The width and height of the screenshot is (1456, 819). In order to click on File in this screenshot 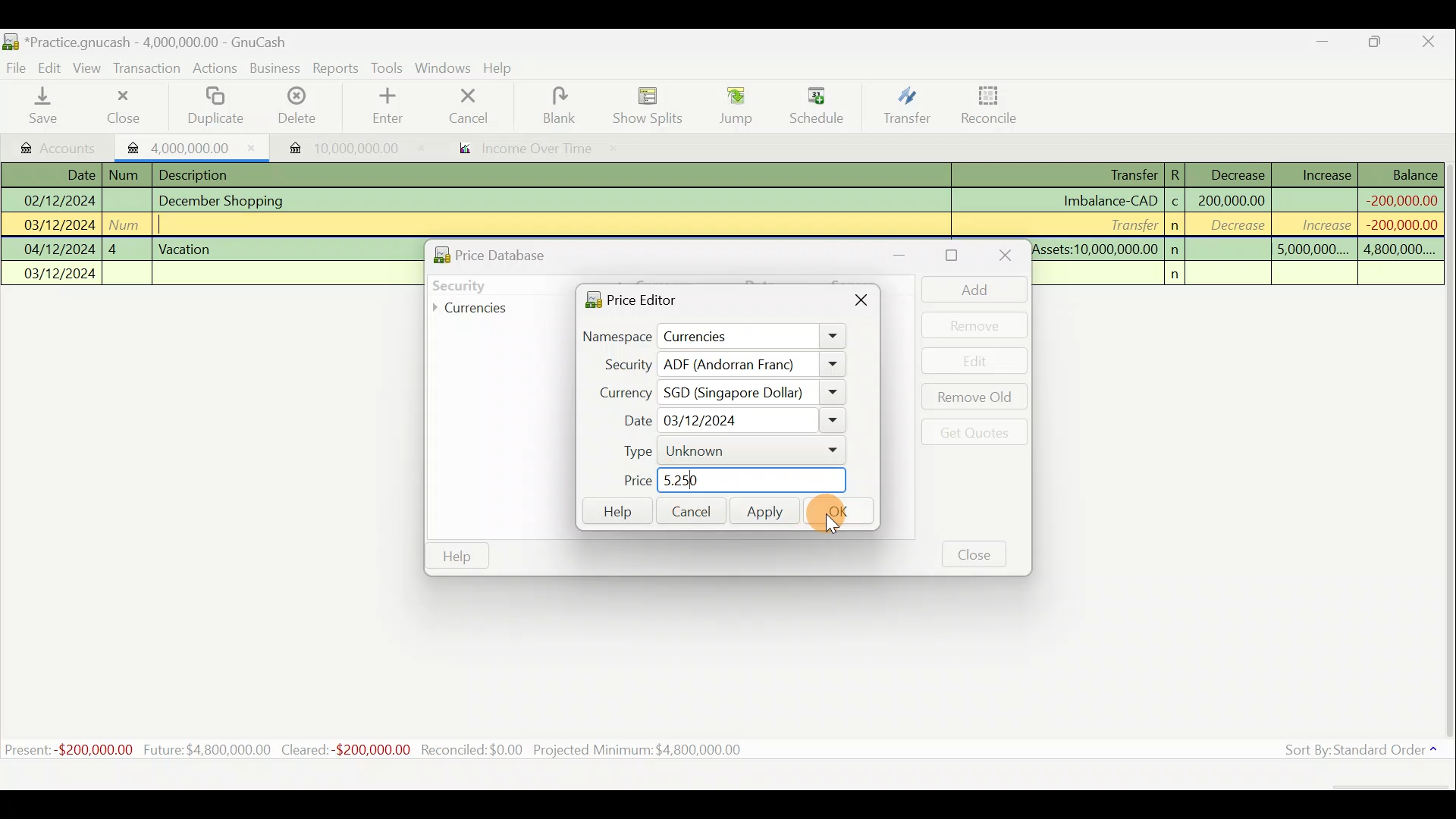, I will do `click(17, 65)`.